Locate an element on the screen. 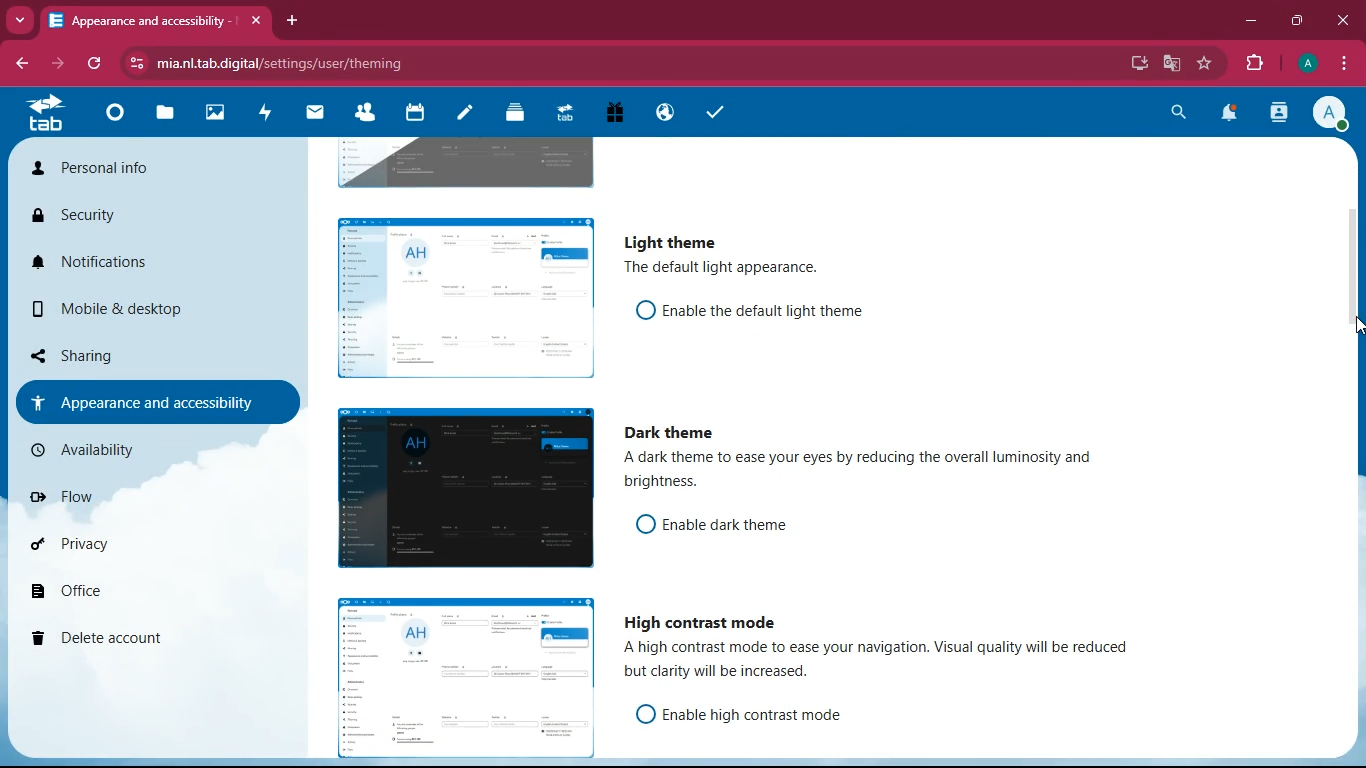 The image size is (1366, 768). extension is located at coordinates (1257, 64).